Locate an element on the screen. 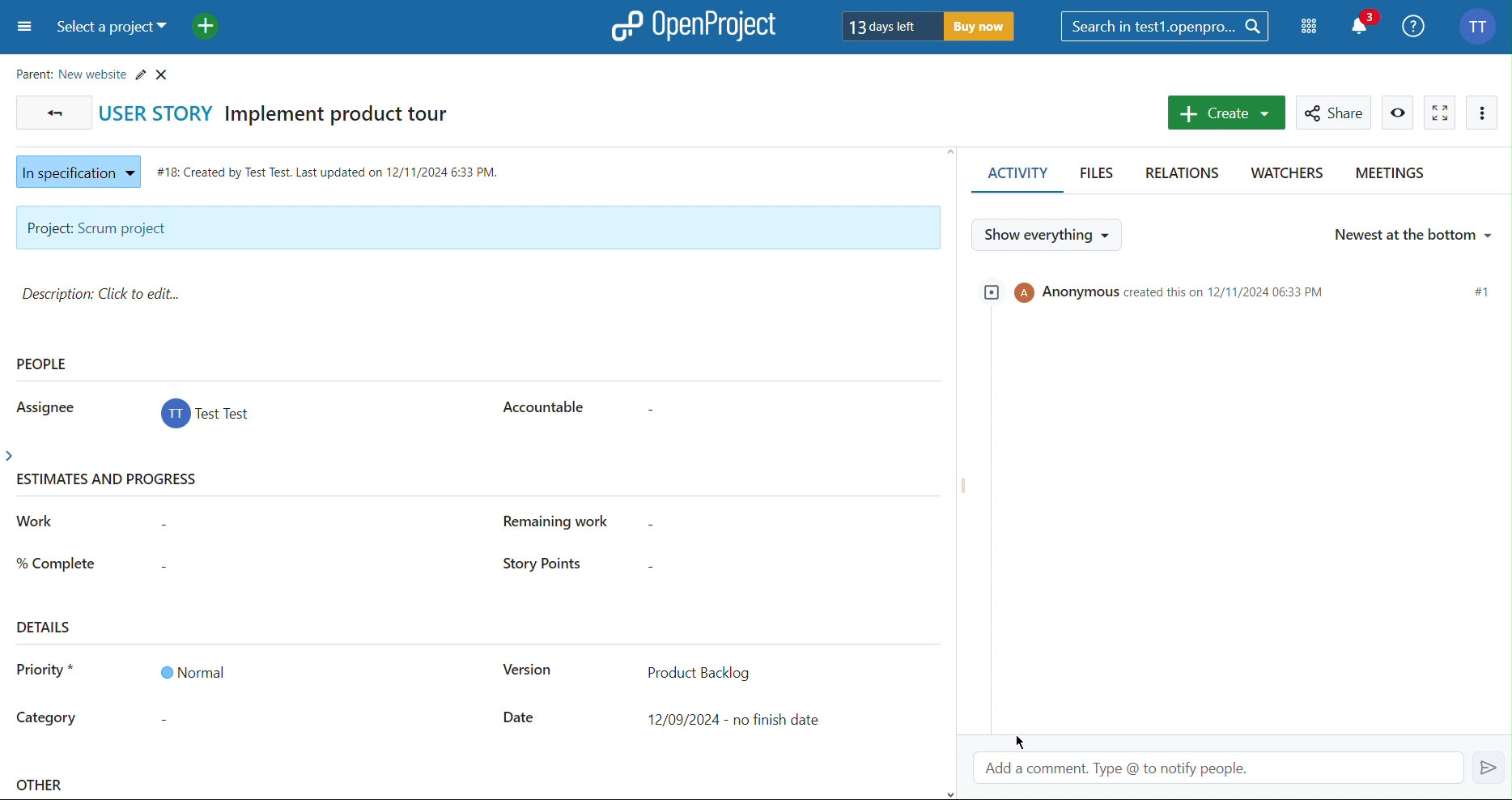 The image size is (1512, 800). Remaining work is located at coordinates (565, 521).